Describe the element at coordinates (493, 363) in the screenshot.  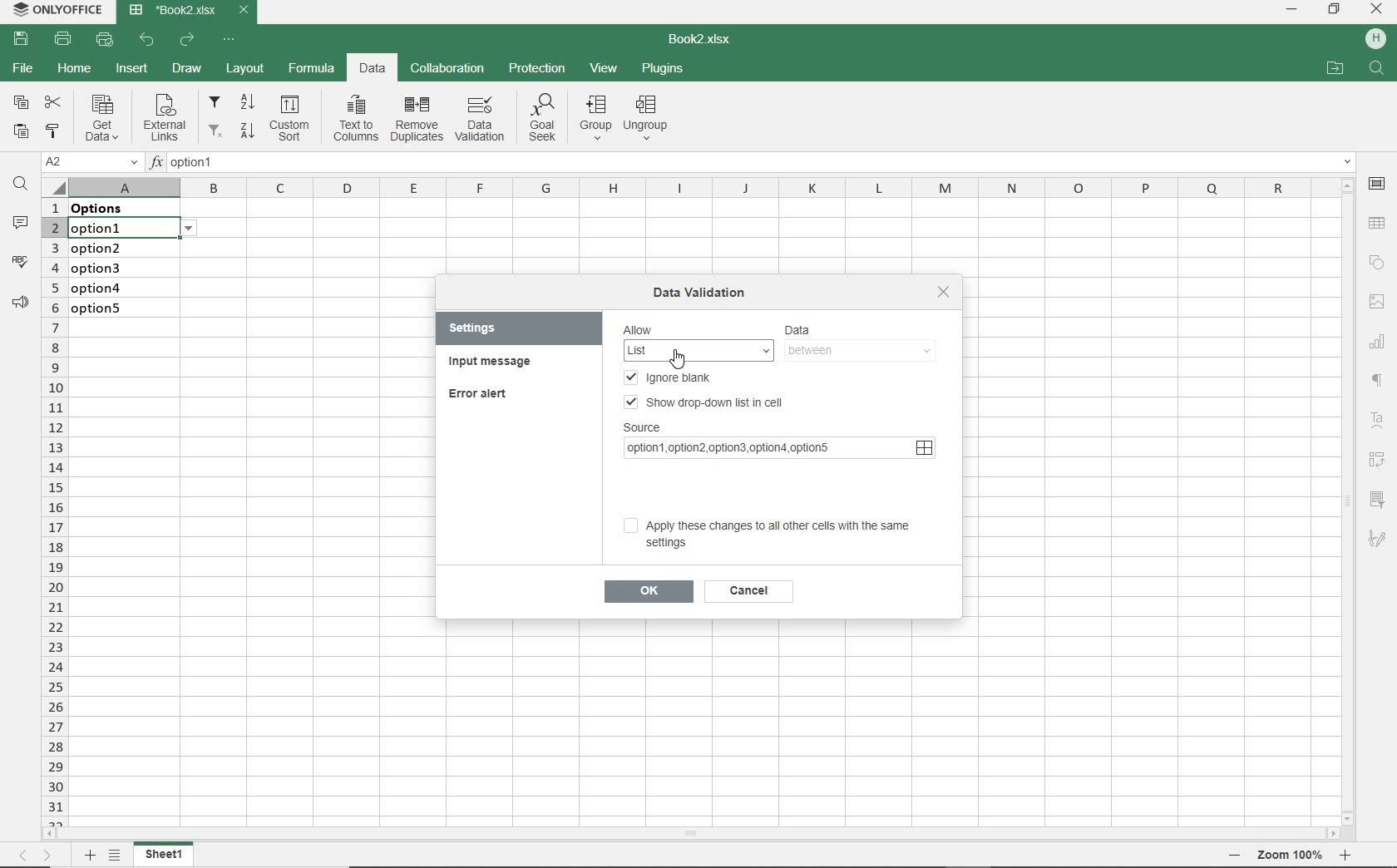
I see `INPUT MESSAGE` at that location.